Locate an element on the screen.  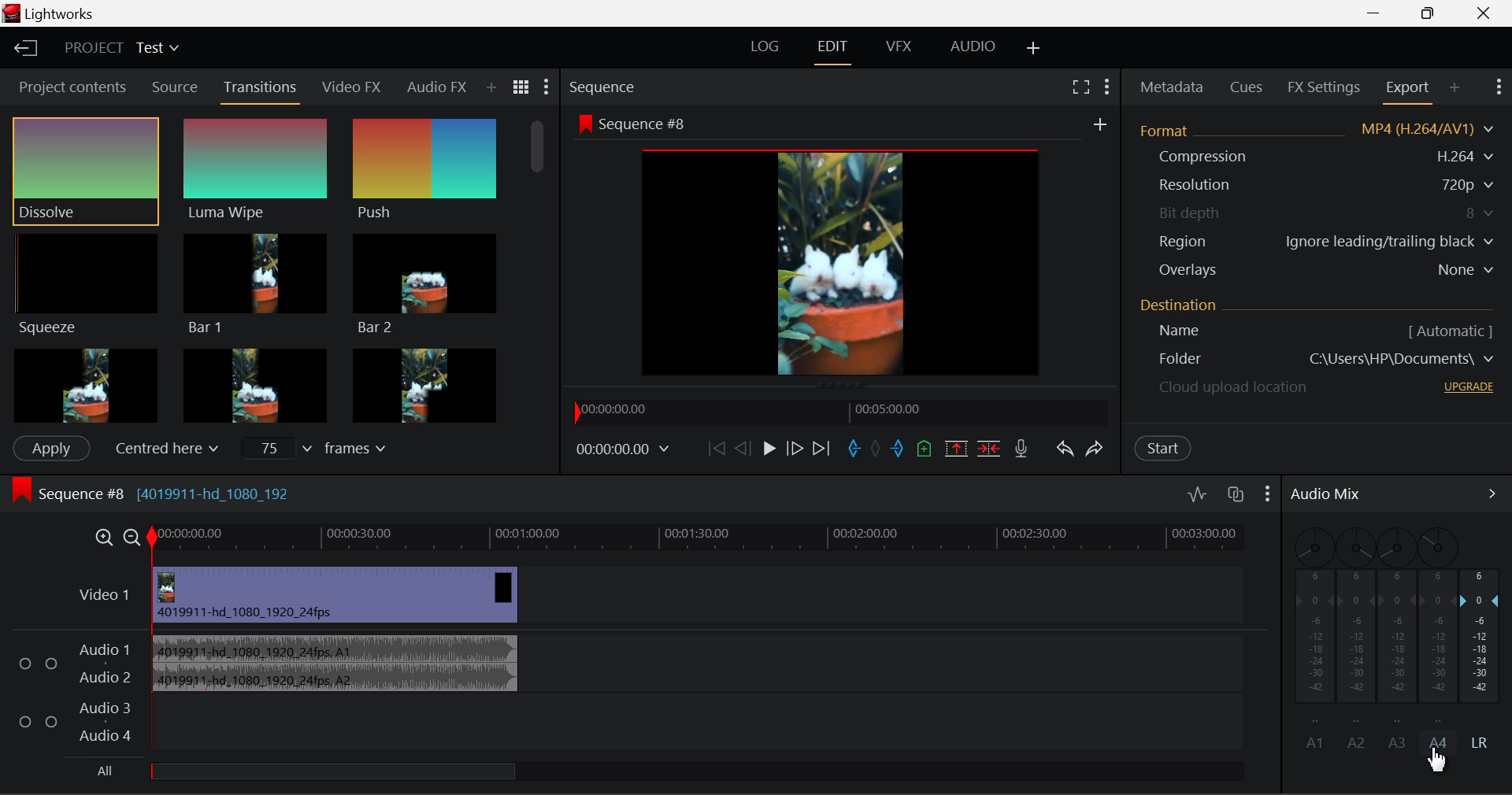
Format is located at coordinates (1315, 131).